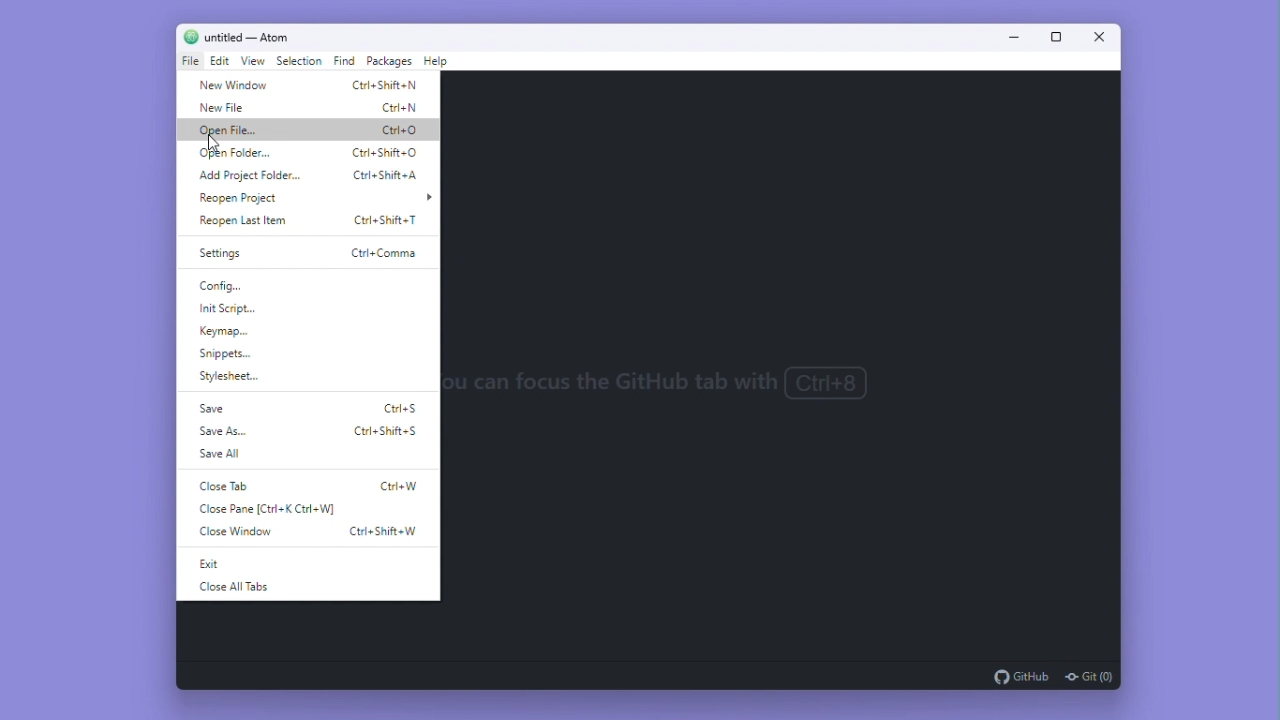 The width and height of the screenshot is (1280, 720). Describe the element at coordinates (309, 176) in the screenshot. I see `add project folder... ctrl+shift+A` at that location.